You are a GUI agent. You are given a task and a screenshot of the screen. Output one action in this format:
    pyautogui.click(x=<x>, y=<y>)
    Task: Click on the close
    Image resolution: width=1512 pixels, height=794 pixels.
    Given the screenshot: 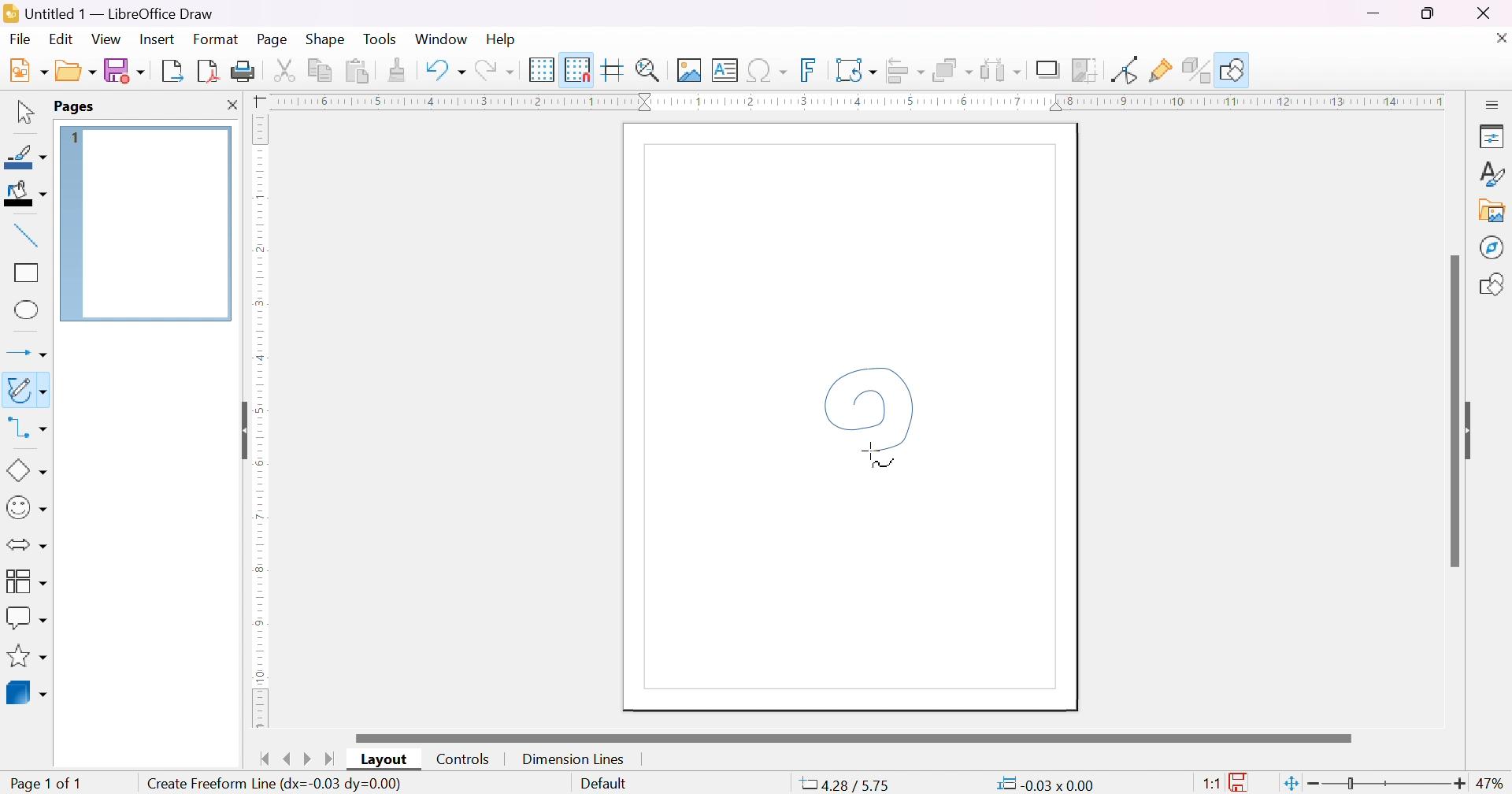 What is the action you would take?
    pyautogui.click(x=1482, y=11)
    